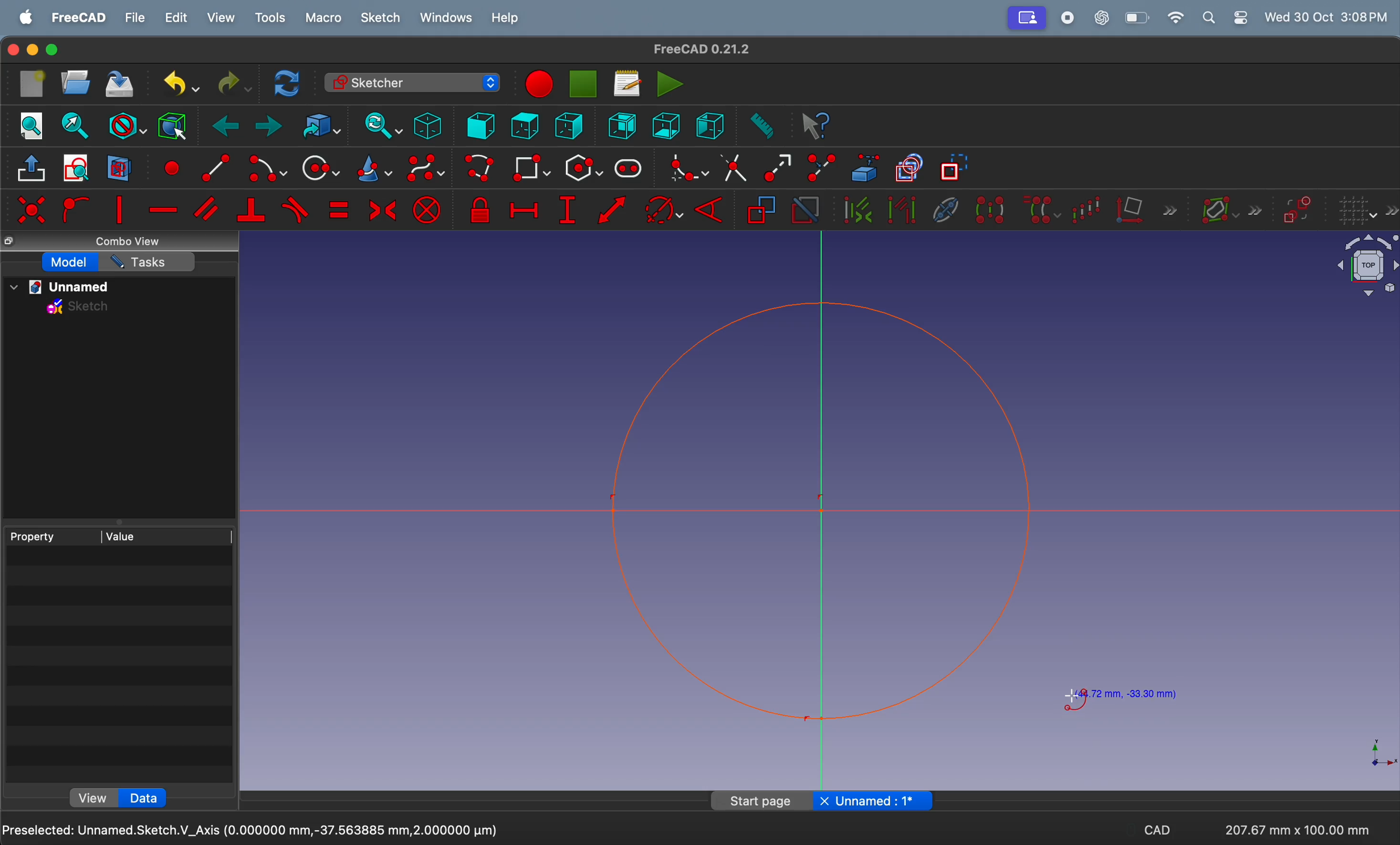 The width and height of the screenshot is (1400, 845). What do you see at coordinates (231, 83) in the screenshot?
I see `redo` at bounding box center [231, 83].